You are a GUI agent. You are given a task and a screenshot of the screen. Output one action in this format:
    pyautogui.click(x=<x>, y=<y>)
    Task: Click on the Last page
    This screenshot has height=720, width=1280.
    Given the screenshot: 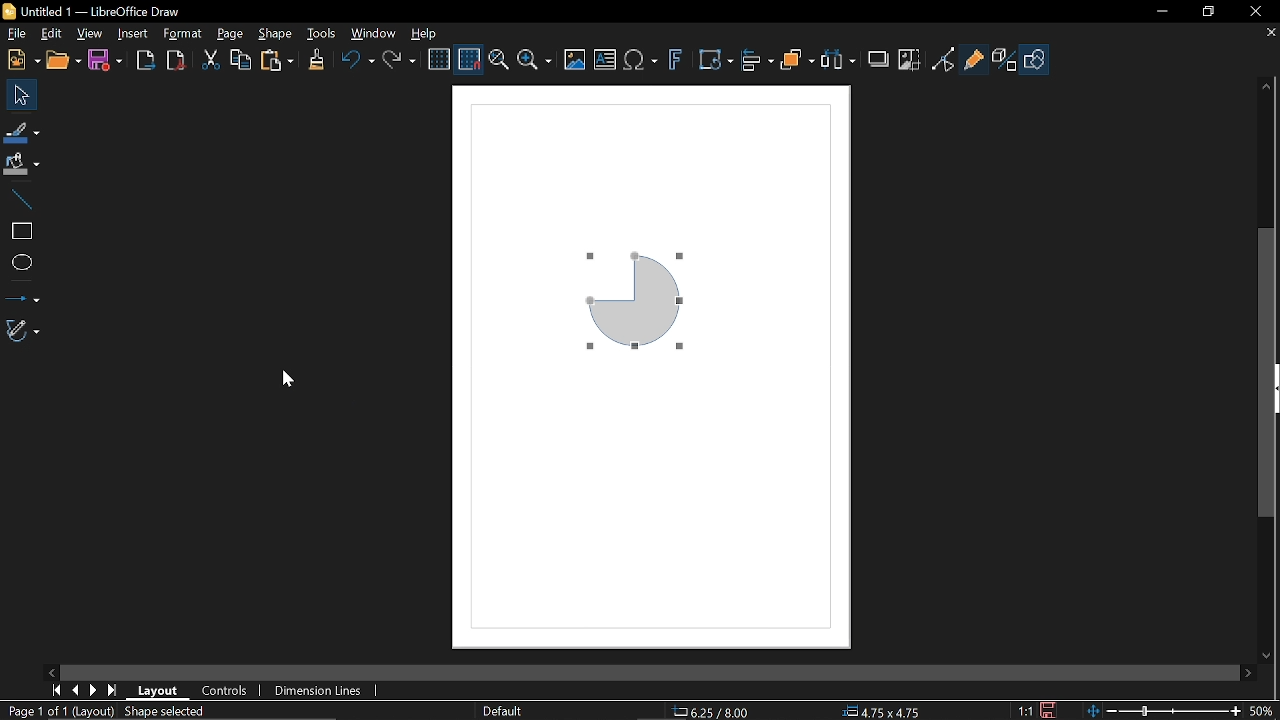 What is the action you would take?
    pyautogui.click(x=112, y=691)
    